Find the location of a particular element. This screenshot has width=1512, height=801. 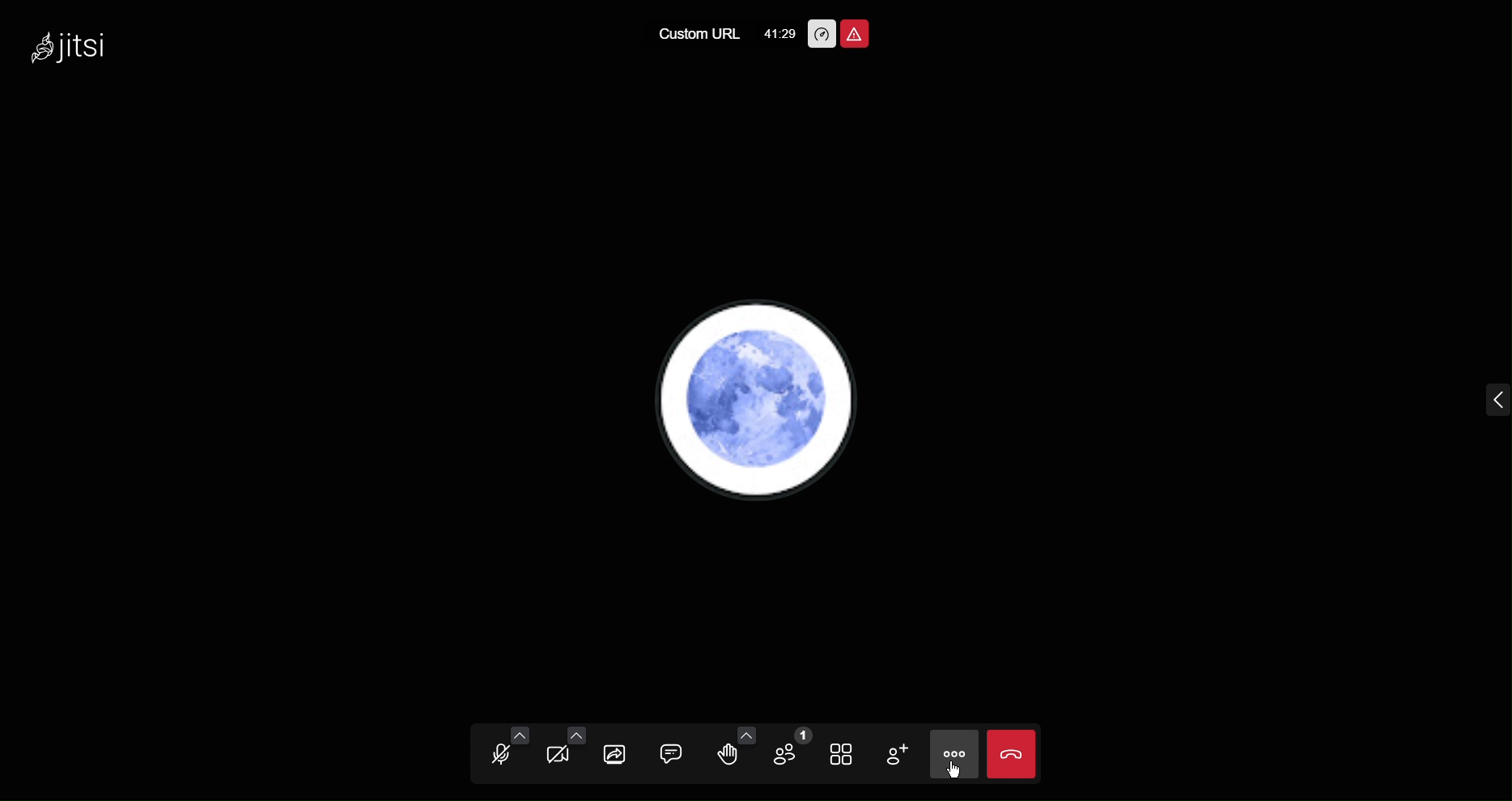

Share Screen is located at coordinates (618, 752).